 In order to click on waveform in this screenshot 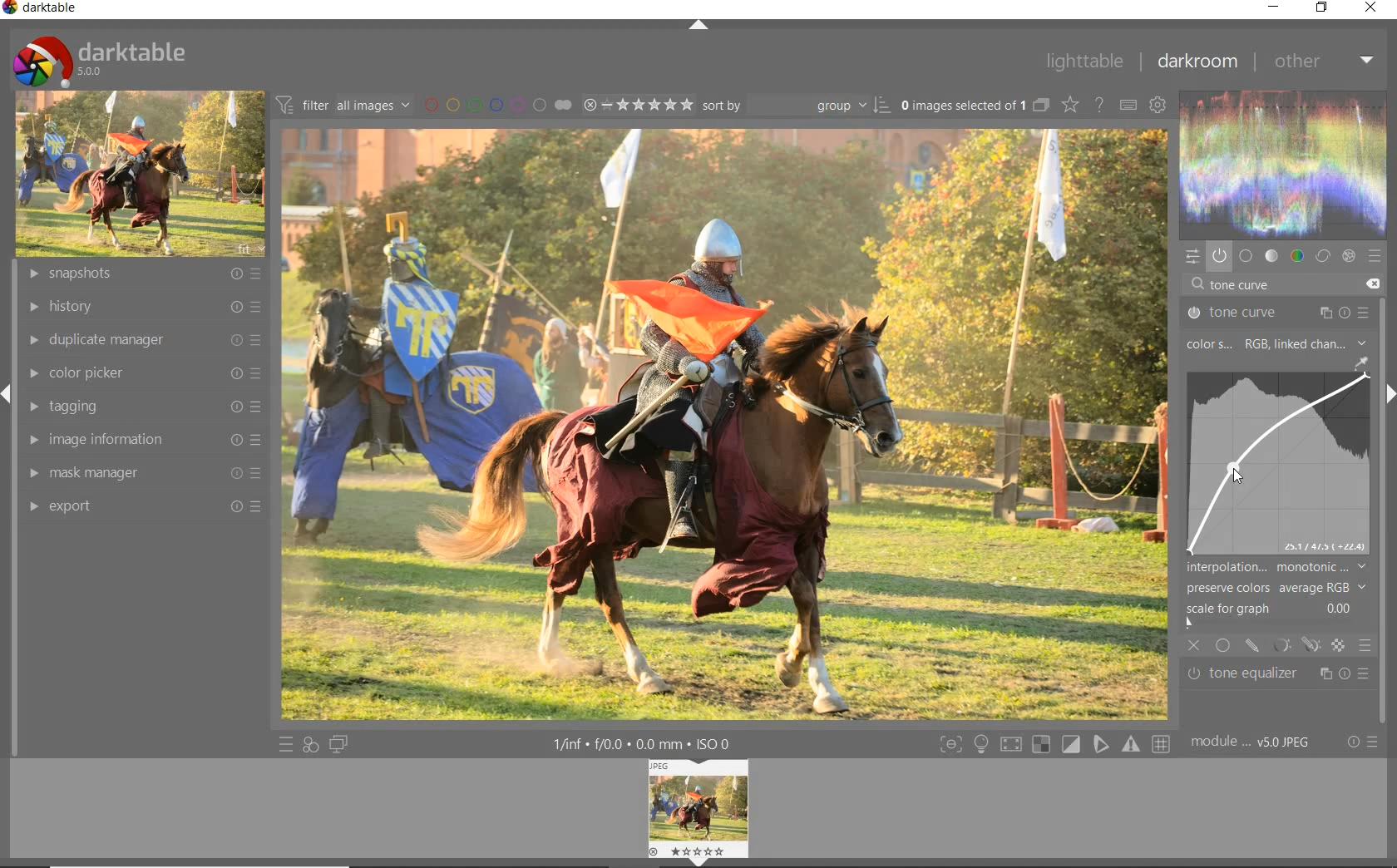, I will do `click(1284, 163)`.